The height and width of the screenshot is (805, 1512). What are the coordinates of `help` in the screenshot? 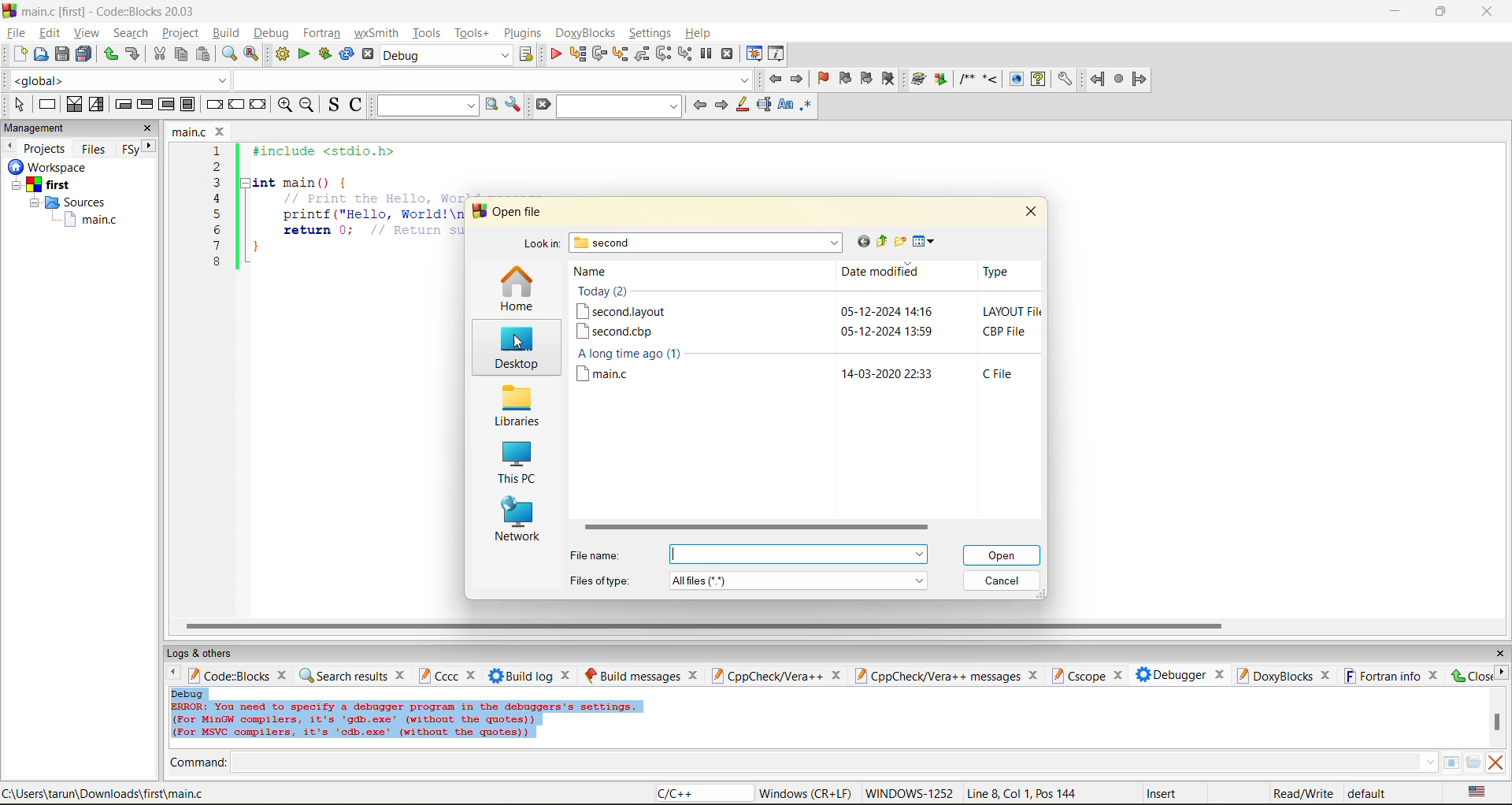 It's located at (1038, 79).